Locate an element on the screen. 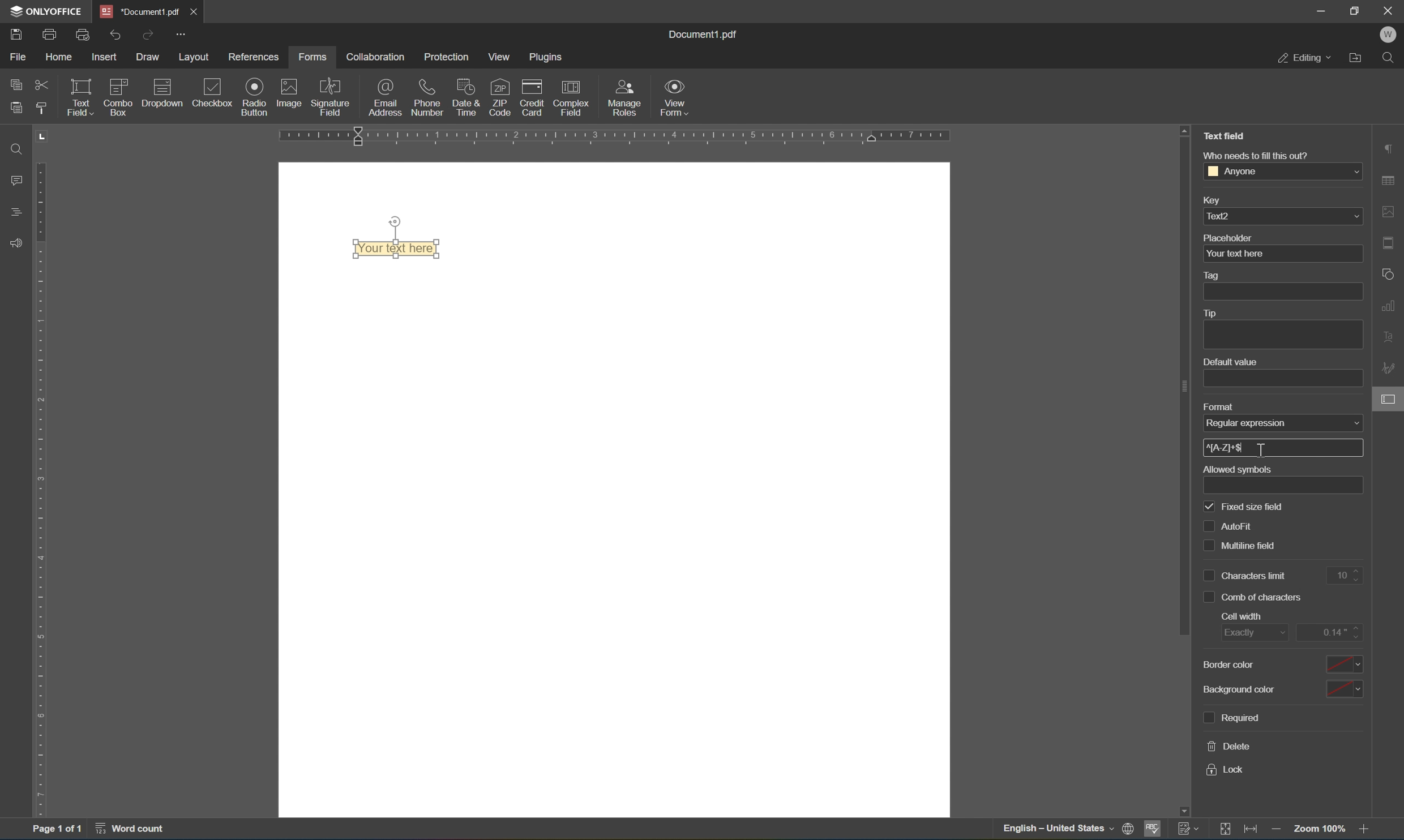 This screenshot has height=840, width=1404. checkbox is located at coordinates (214, 92).